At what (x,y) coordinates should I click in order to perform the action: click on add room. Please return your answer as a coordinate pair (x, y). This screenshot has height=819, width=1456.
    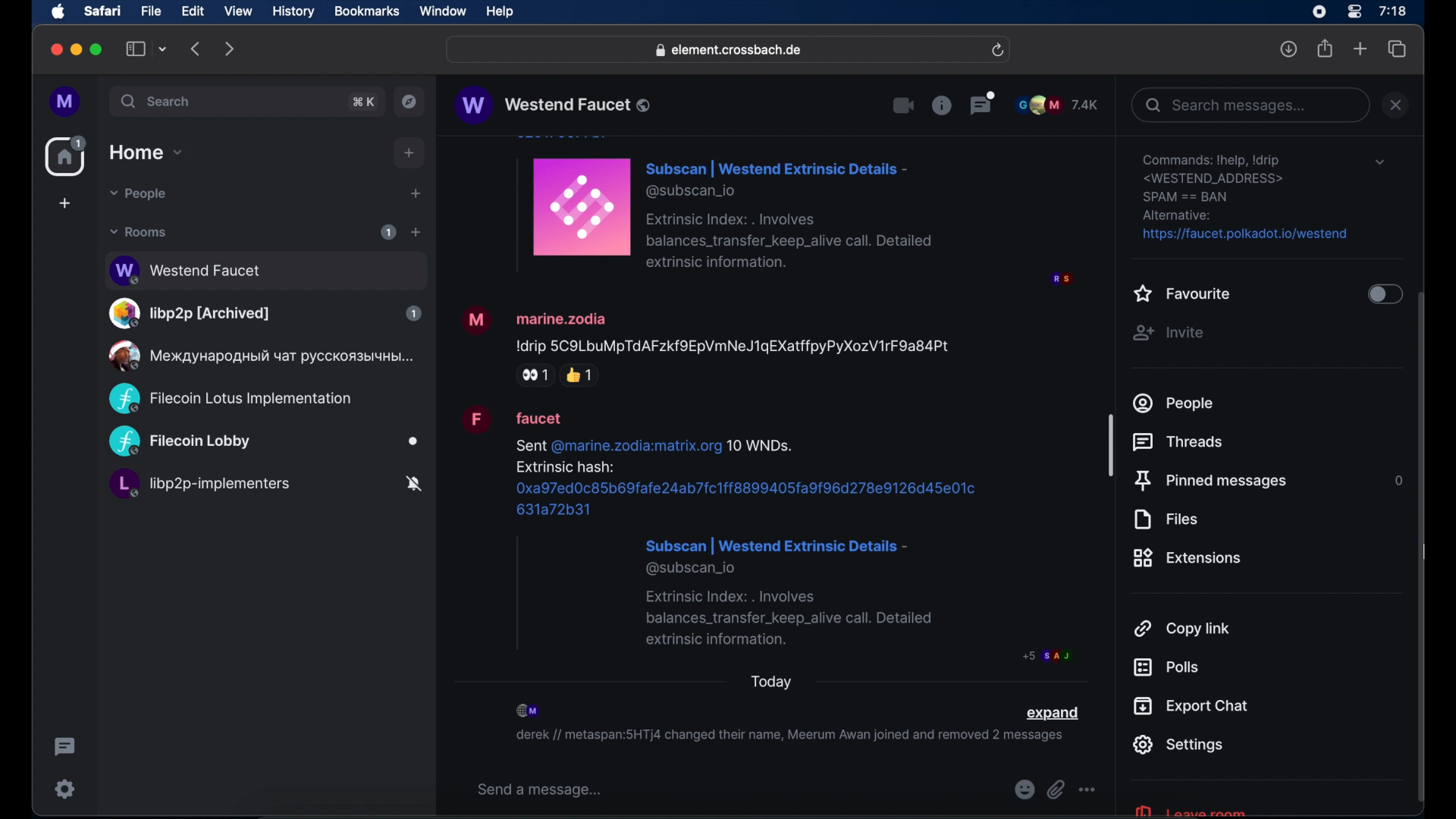
    Looking at the image, I should click on (416, 232).